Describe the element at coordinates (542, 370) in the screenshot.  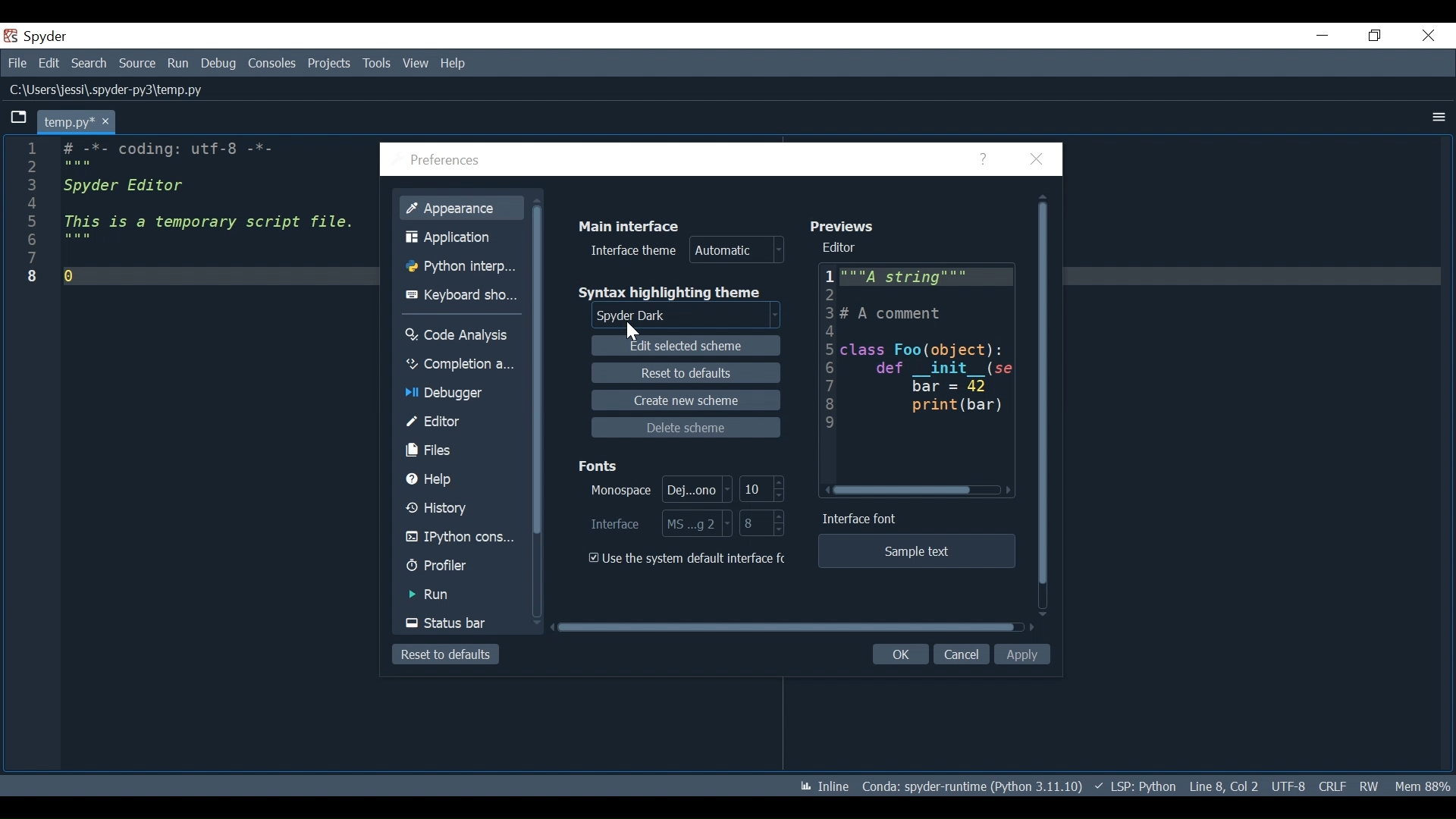
I see `Vertical Scroll bar` at that location.